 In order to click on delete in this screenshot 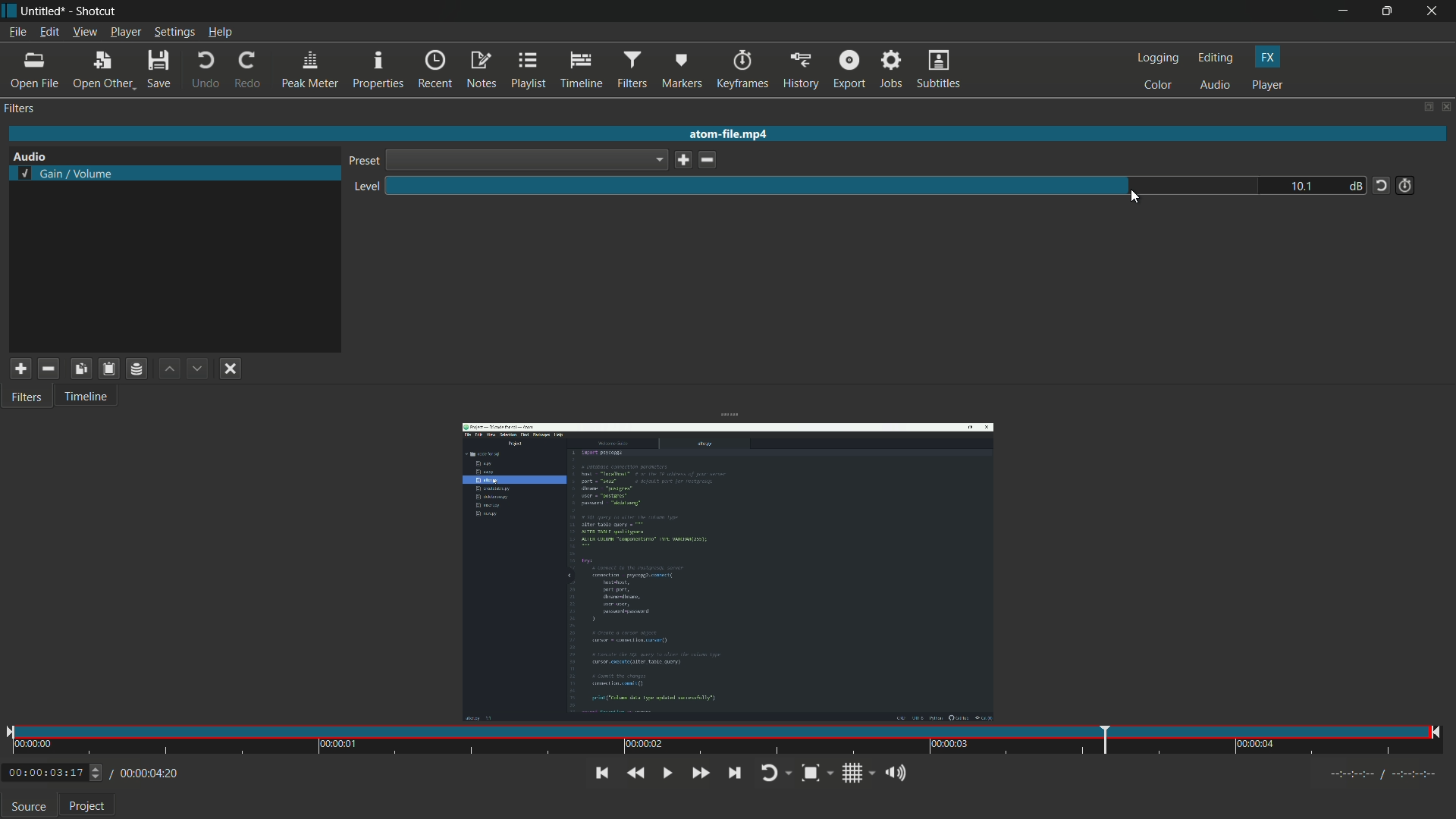, I will do `click(706, 160)`.